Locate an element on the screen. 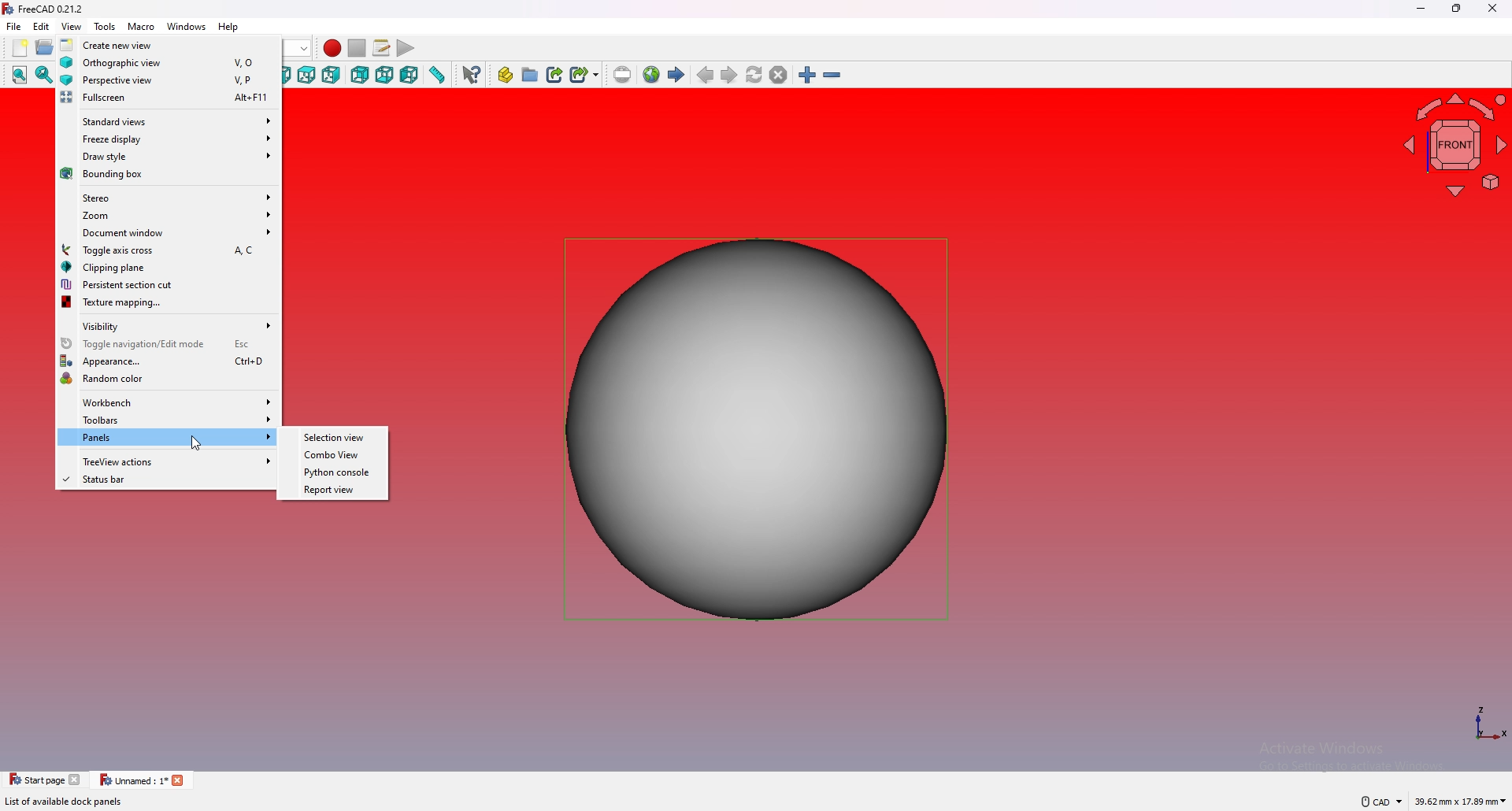 This screenshot has height=811, width=1512. standard views is located at coordinates (168, 120).